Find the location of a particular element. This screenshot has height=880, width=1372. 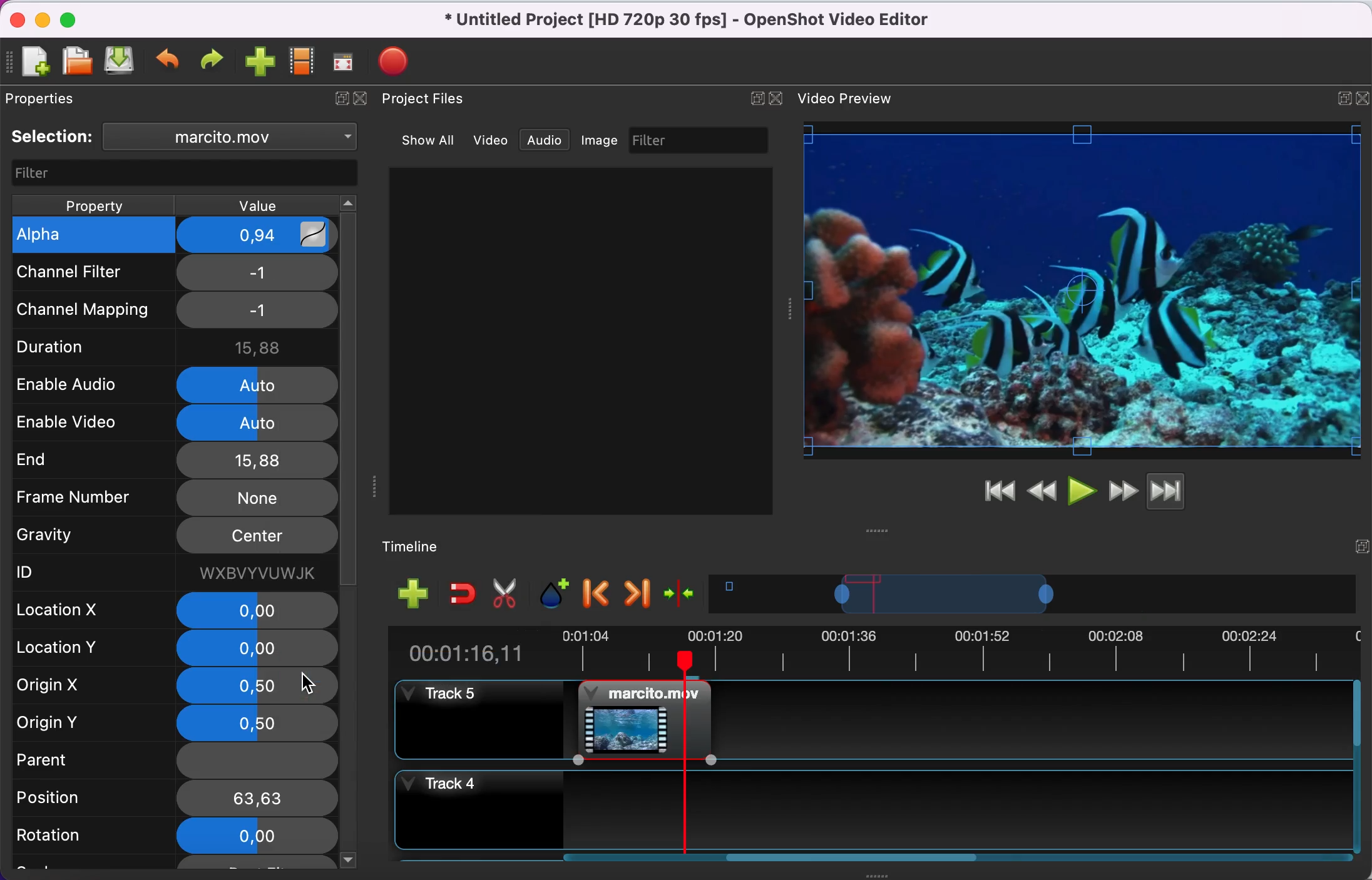

full screen is located at coordinates (346, 60).